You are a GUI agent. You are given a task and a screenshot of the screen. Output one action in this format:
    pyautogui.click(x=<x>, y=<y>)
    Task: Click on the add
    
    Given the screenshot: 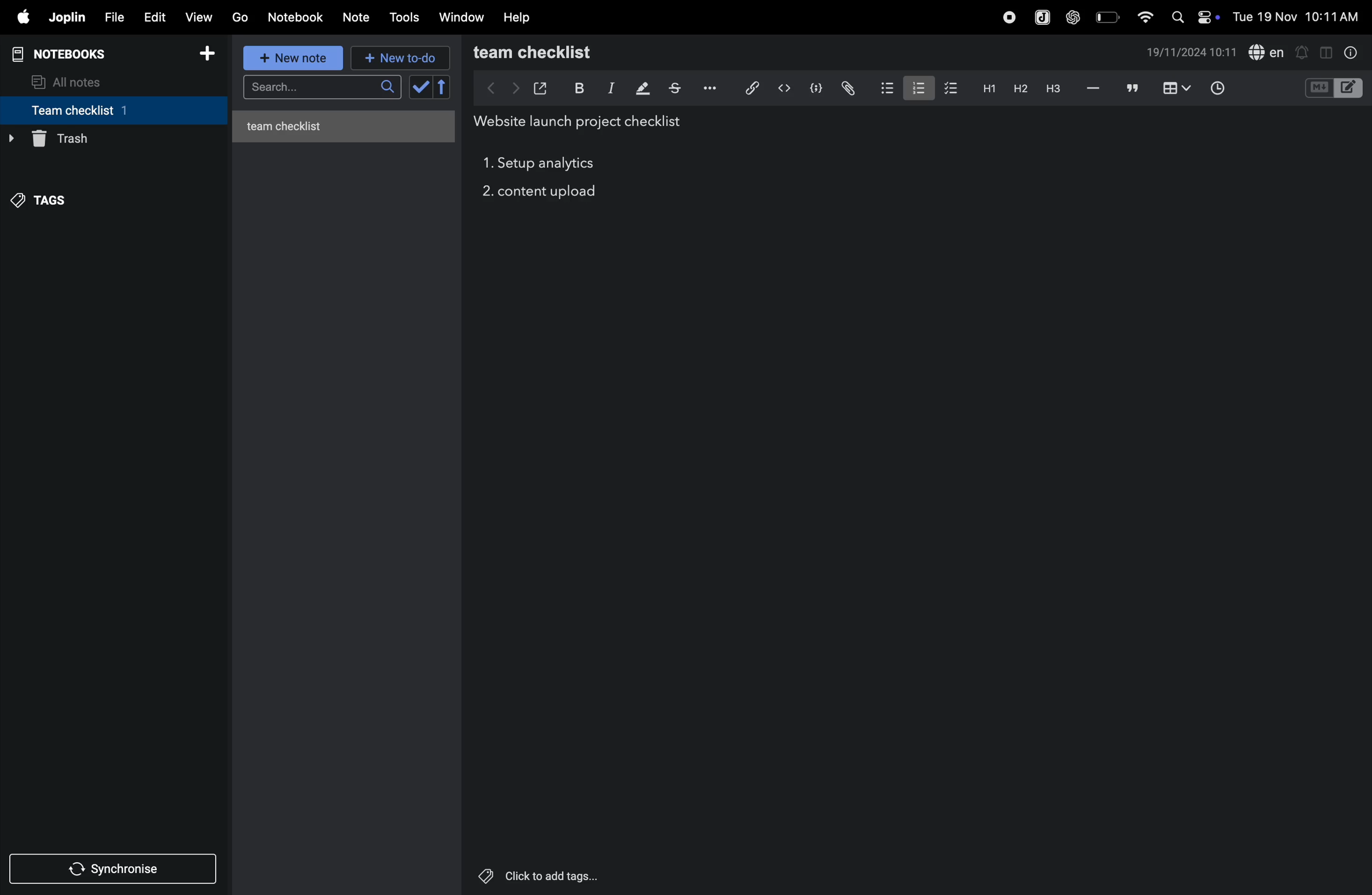 What is the action you would take?
    pyautogui.click(x=212, y=54)
    